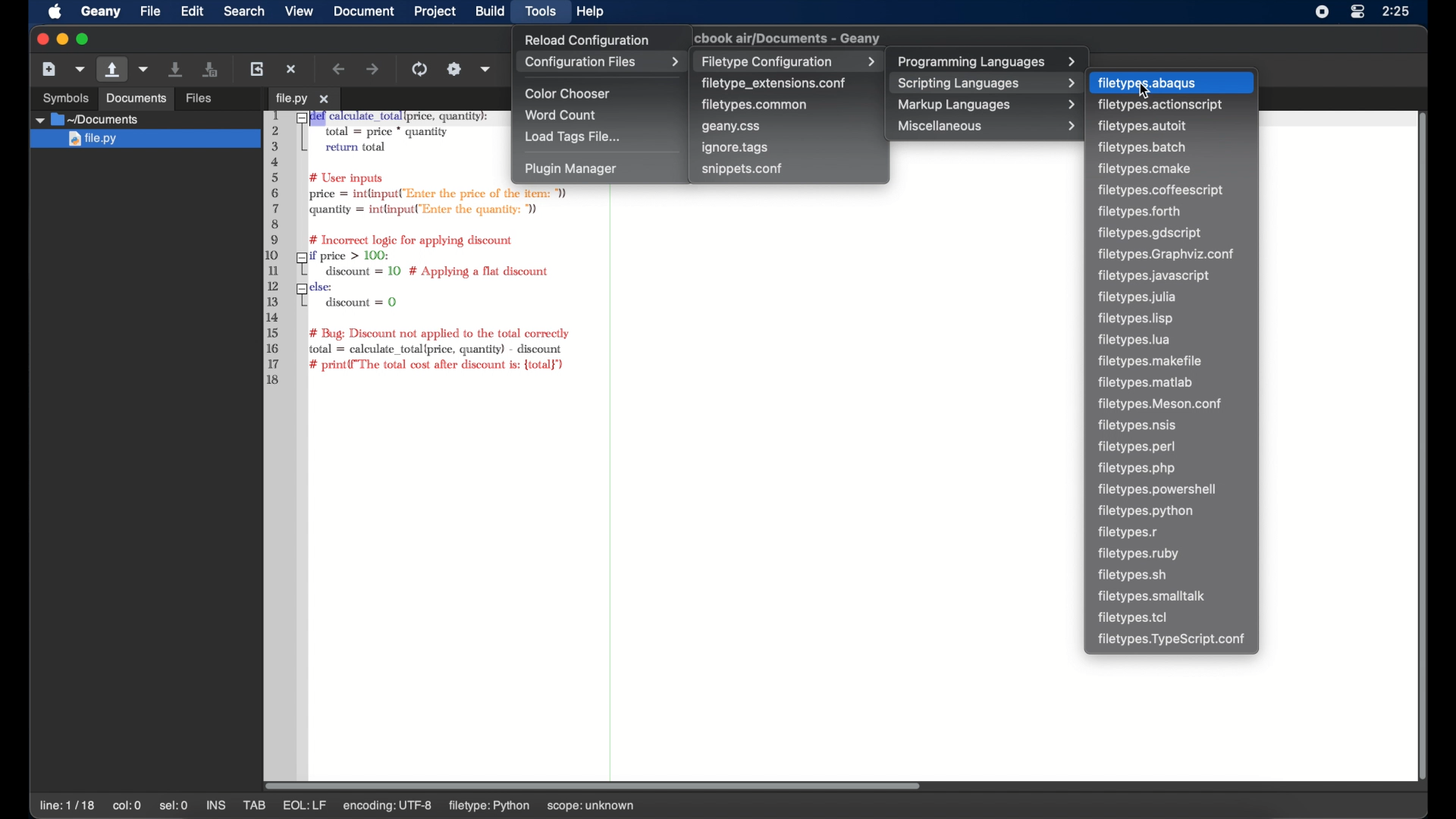 The image size is (1456, 819). What do you see at coordinates (177, 68) in the screenshot?
I see `save current file` at bounding box center [177, 68].